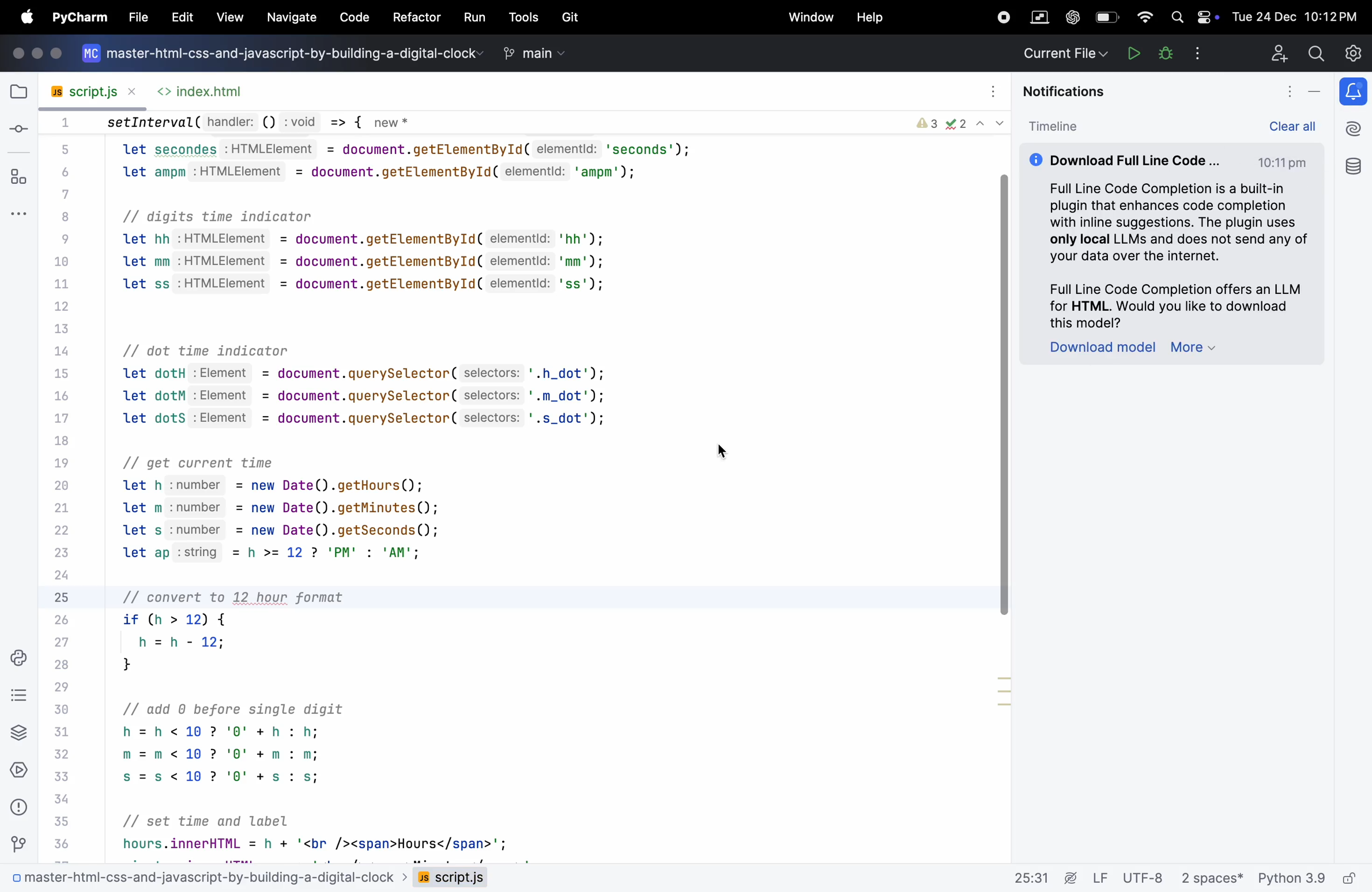  Describe the element at coordinates (1177, 17) in the screenshot. I see `search` at that location.